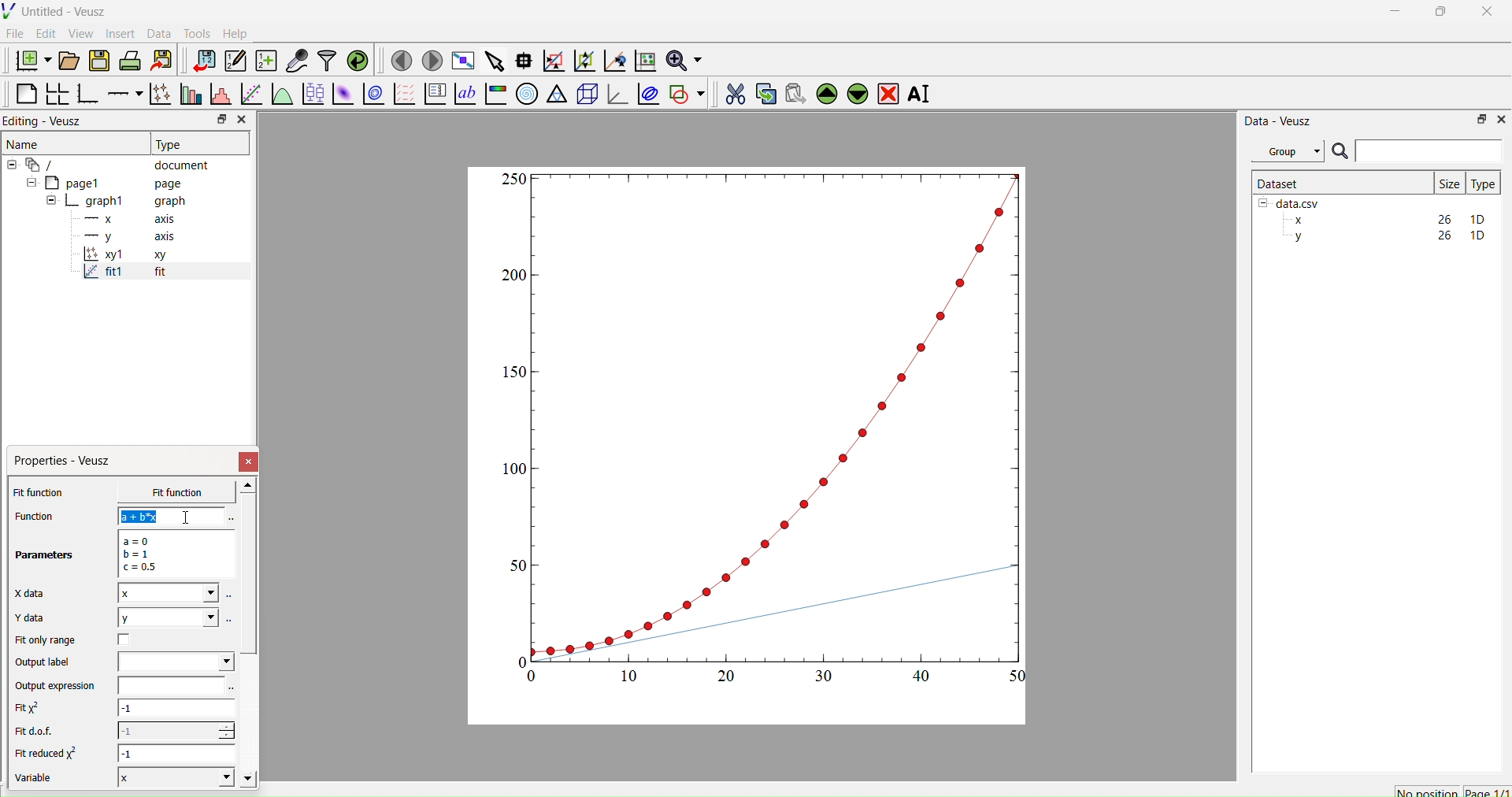  What do you see at coordinates (80, 32) in the screenshot?
I see `View` at bounding box center [80, 32].